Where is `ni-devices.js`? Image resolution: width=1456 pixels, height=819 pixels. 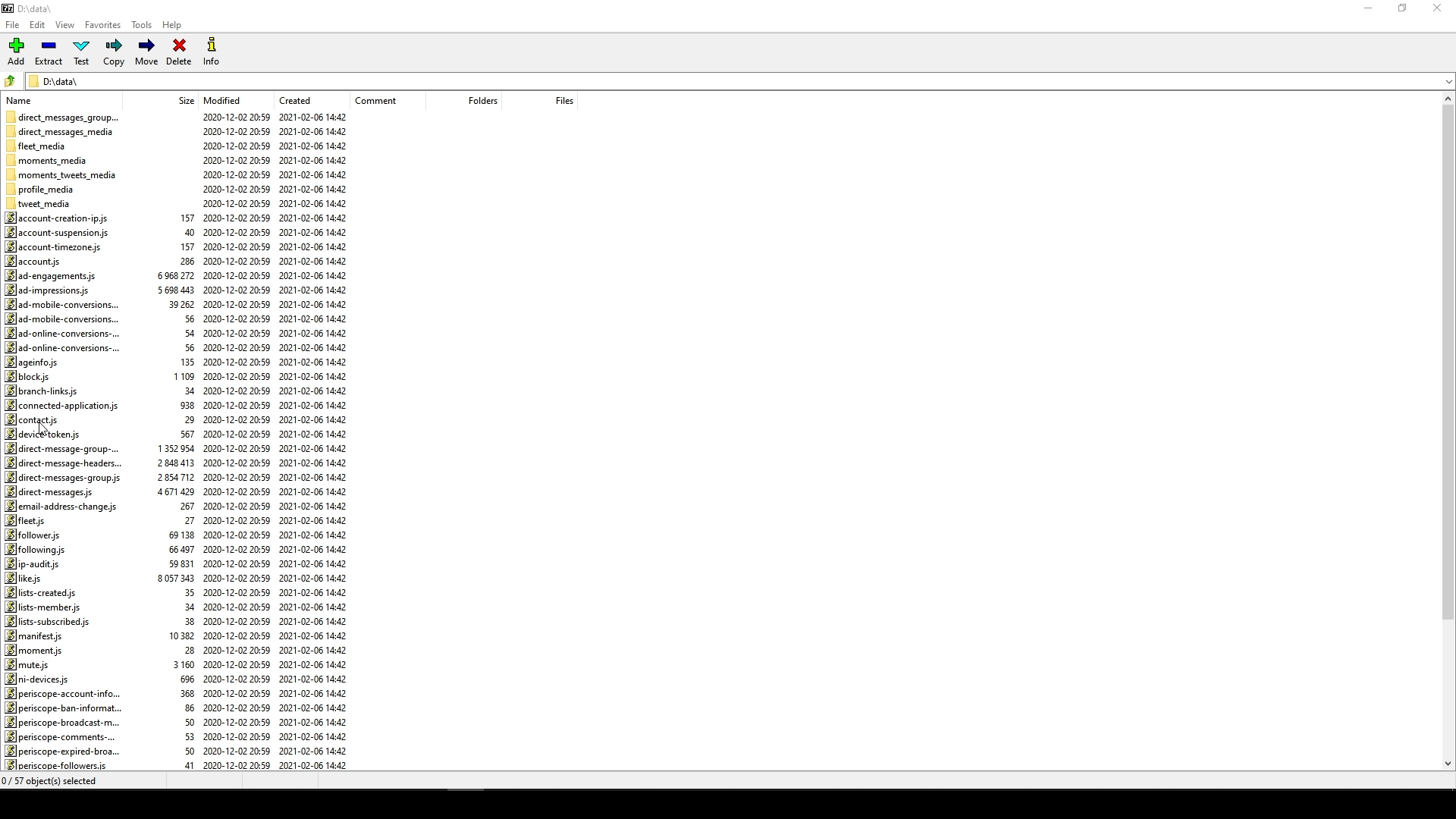 ni-devices.js is located at coordinates (40, 678).